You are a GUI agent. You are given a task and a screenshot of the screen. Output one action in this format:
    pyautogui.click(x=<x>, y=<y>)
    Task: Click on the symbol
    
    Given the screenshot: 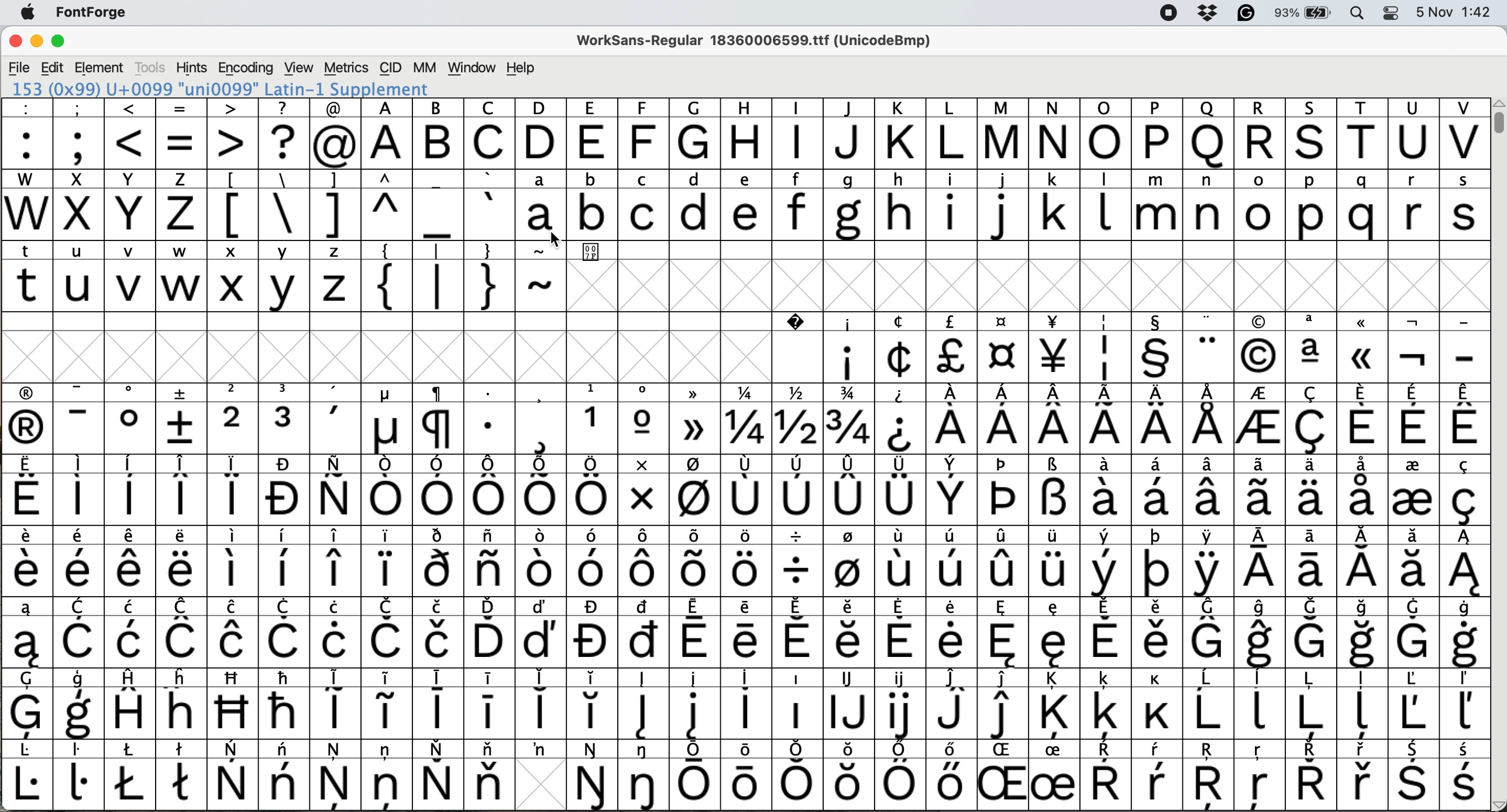 What is the action you would take?
    pyautogui.click(x=488, y=418)
    